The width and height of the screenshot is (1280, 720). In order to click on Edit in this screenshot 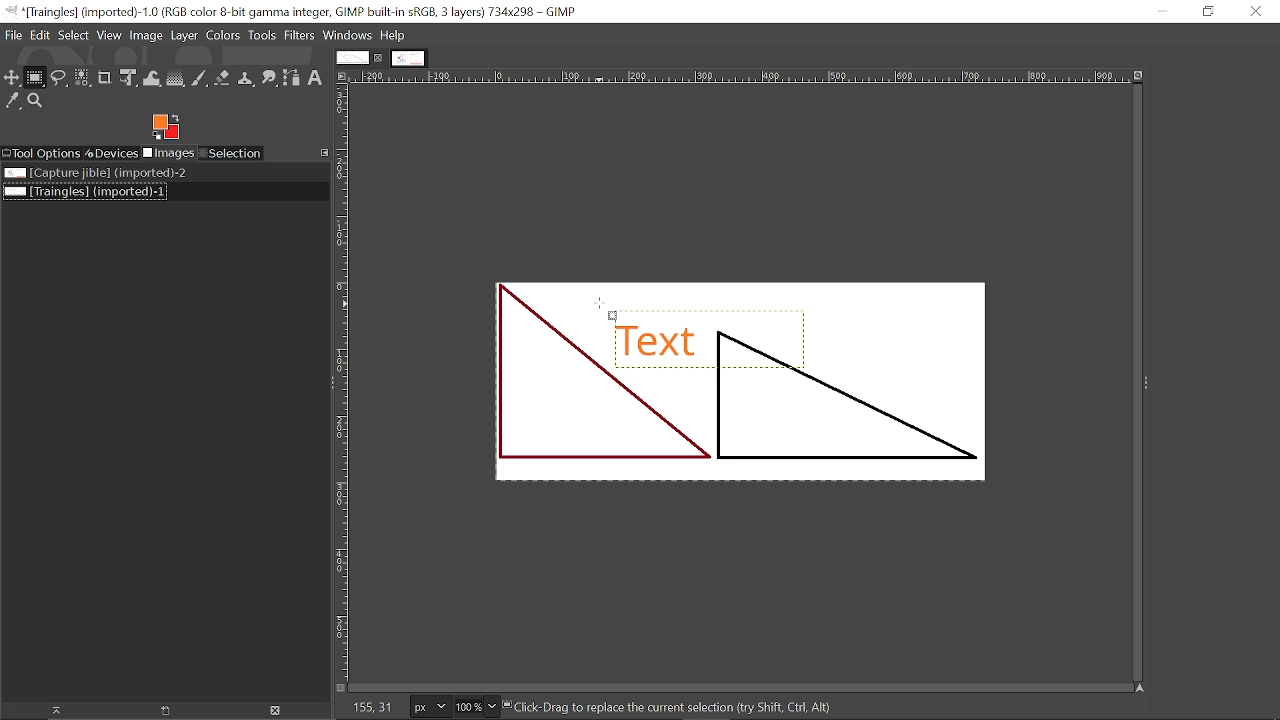, I will do `click(40, 35)`.